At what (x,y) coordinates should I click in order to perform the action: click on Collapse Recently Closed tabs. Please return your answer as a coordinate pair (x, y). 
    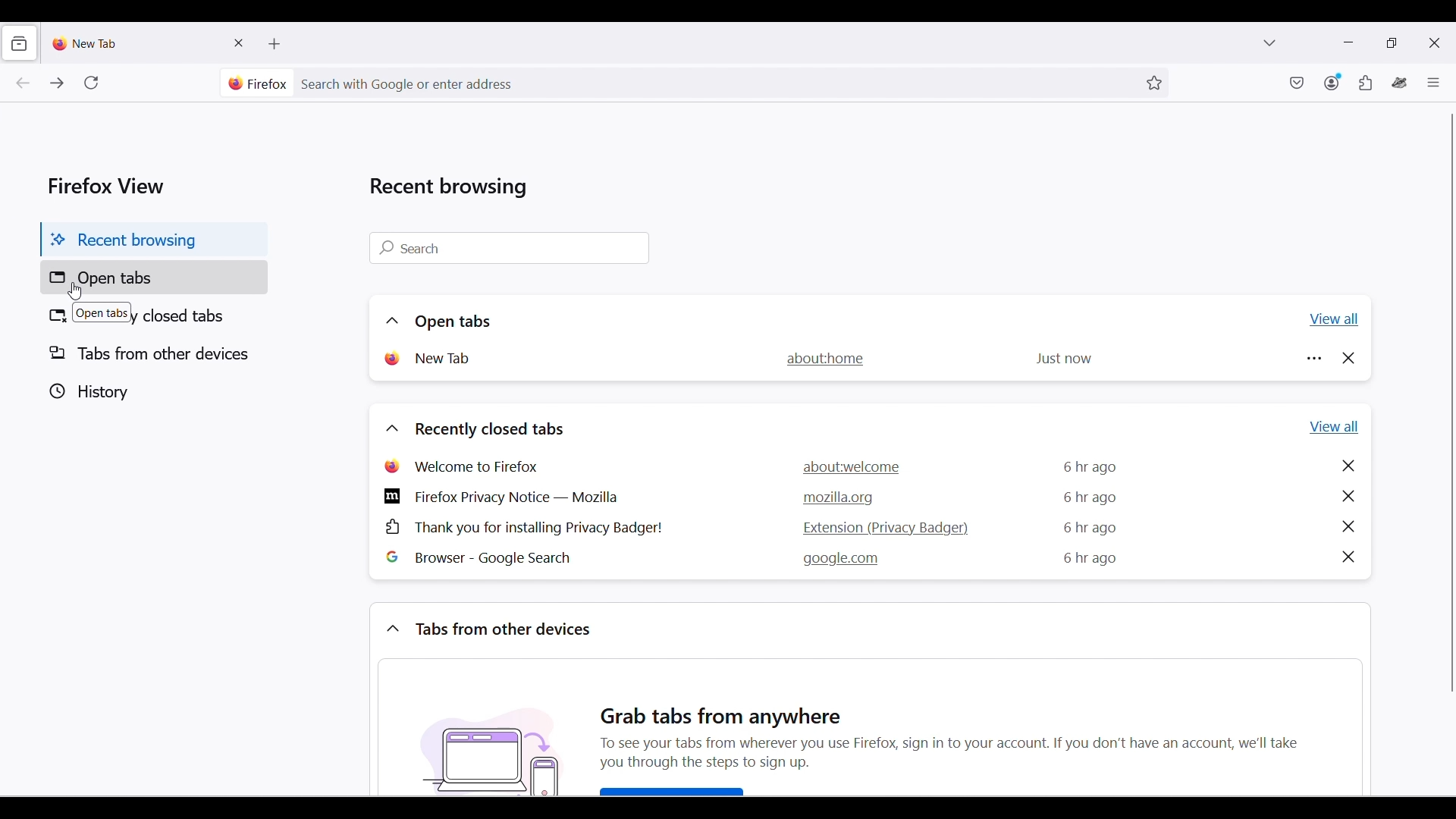
    Looking at the image, I should click on (392, 428).